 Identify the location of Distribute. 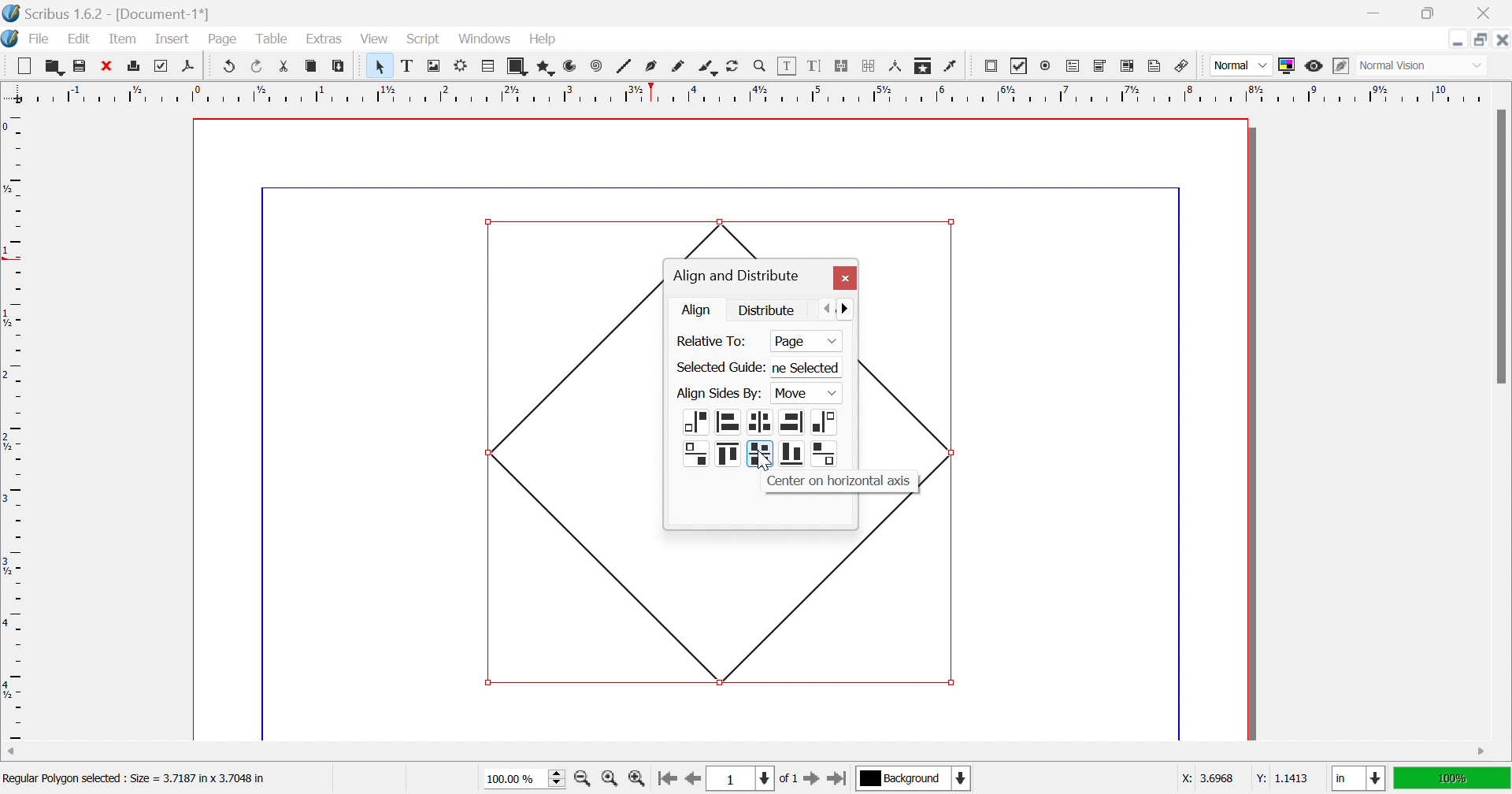
(768, 309).